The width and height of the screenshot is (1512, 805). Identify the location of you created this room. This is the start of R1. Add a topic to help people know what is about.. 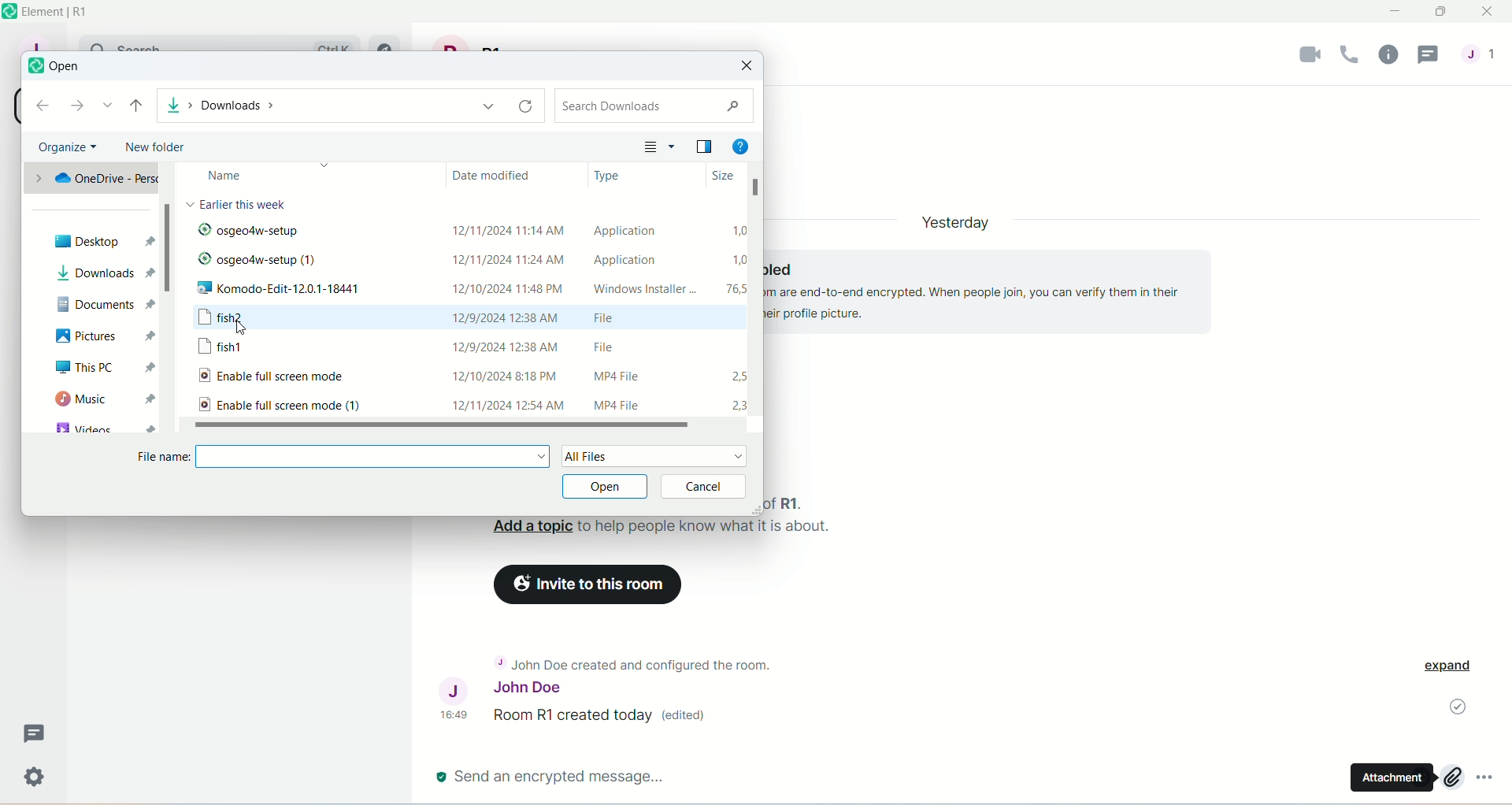
(668, 520).